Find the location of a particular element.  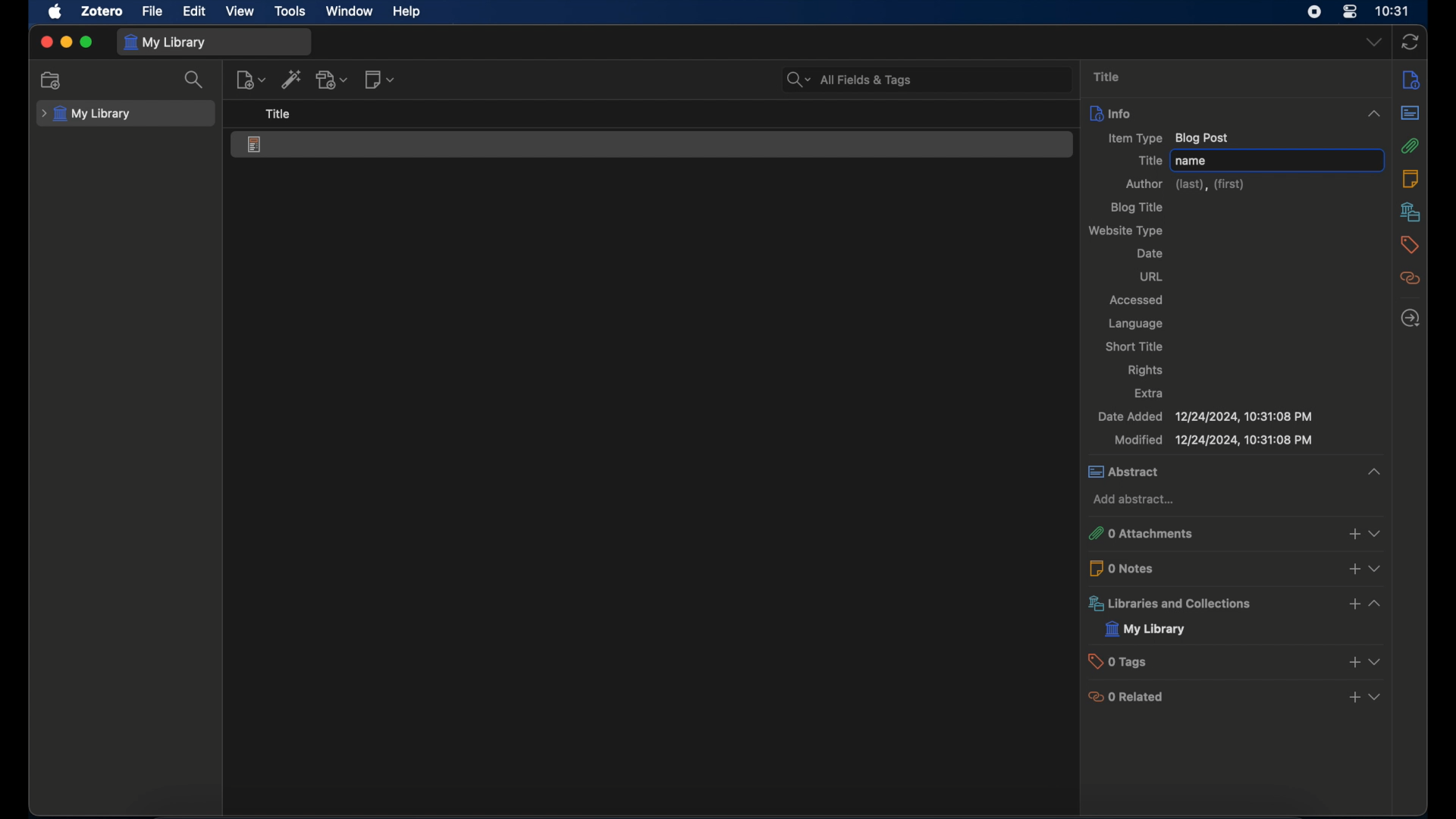

new collection is located at coordinates (51, 80).